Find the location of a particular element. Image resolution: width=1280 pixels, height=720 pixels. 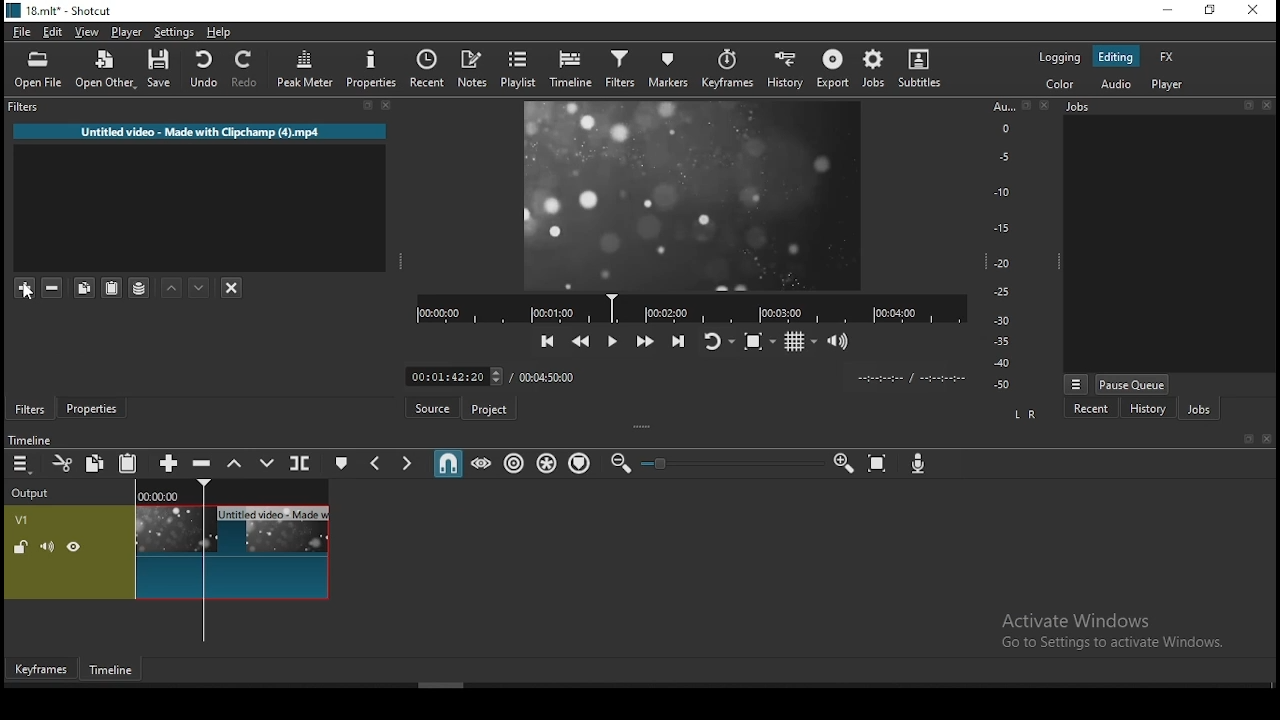

player is located at coordinates (127, 32).